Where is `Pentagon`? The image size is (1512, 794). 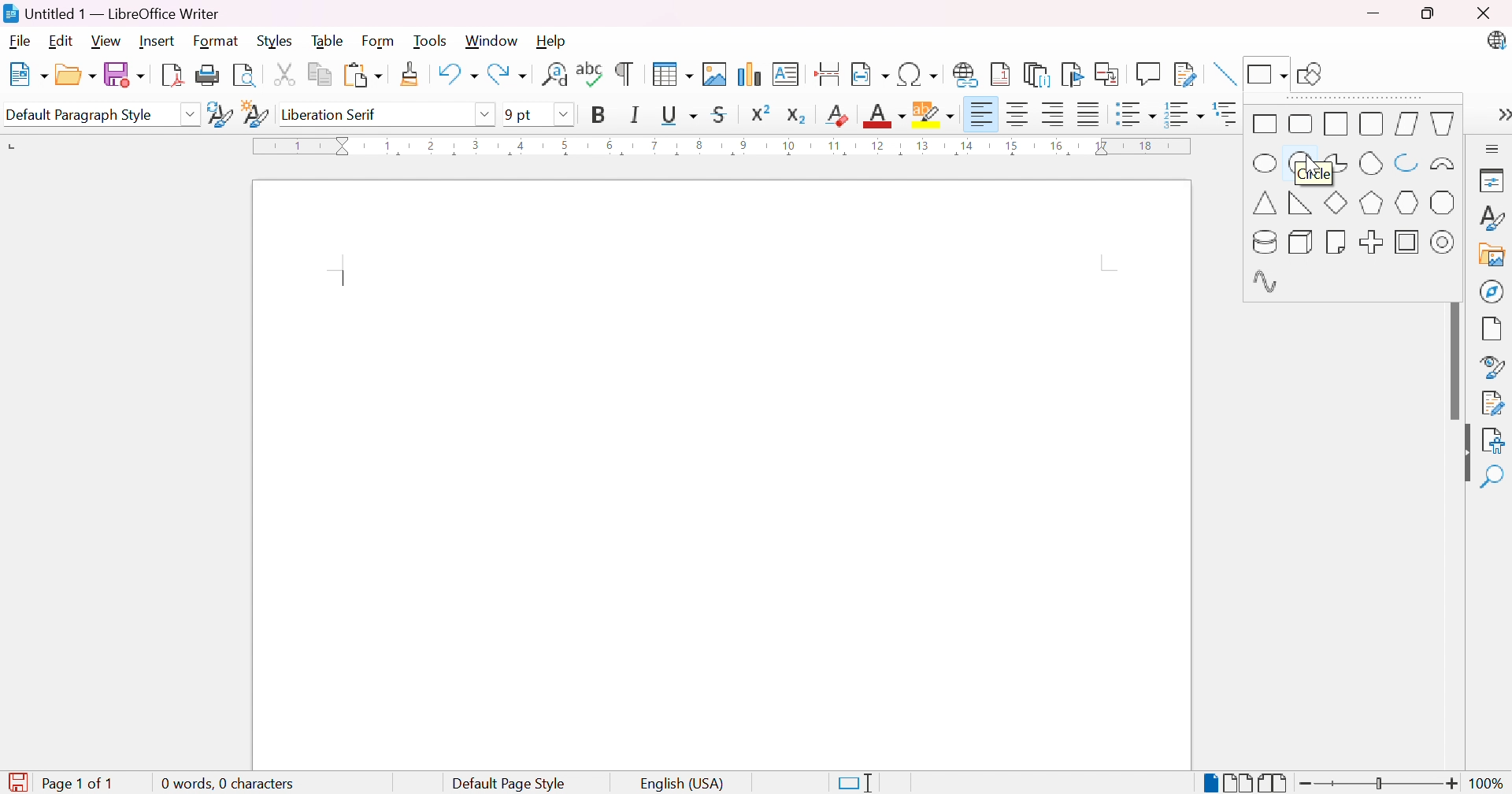
Pentagon is located at coordinates (1373, 203).